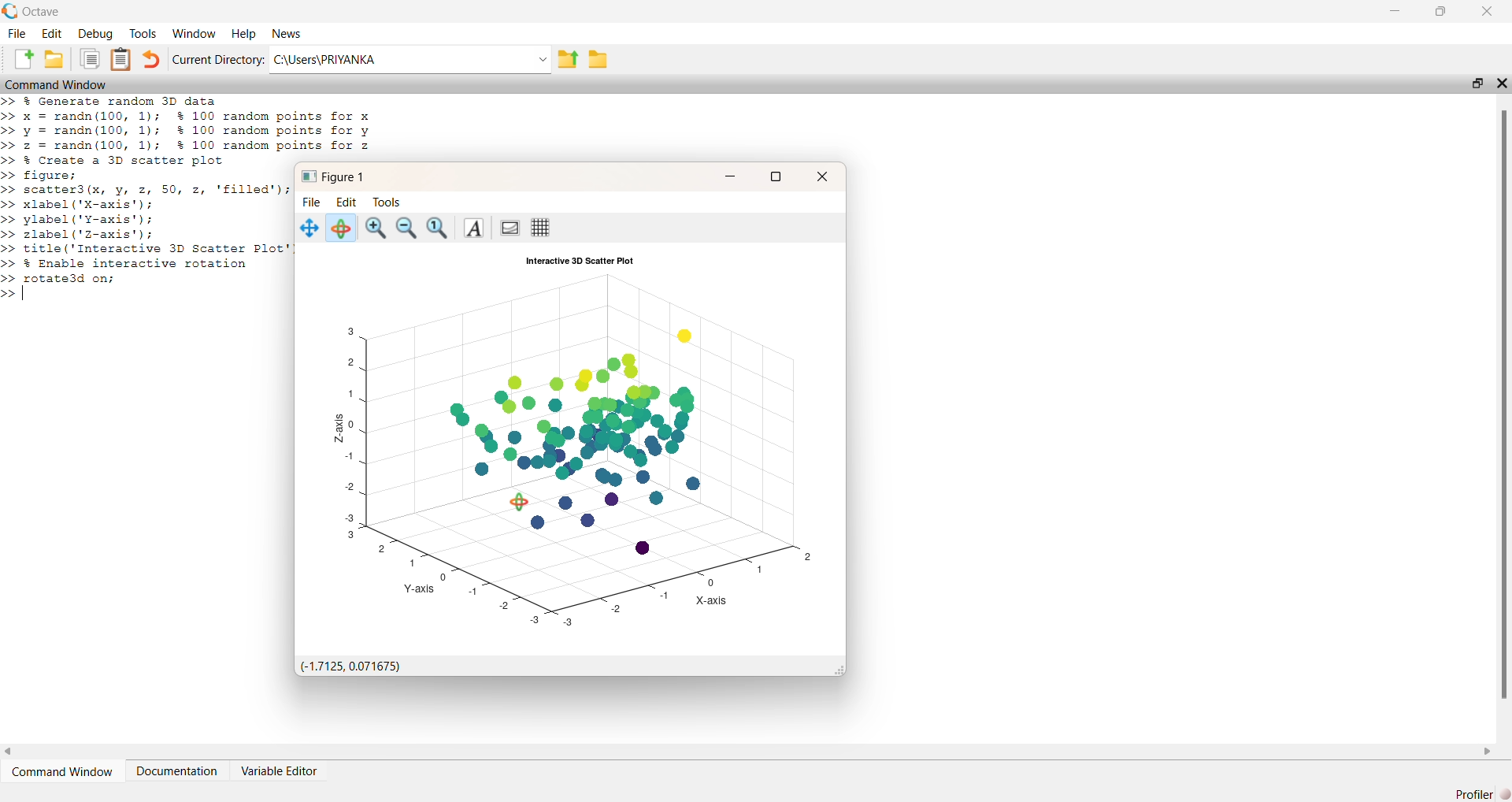  What do you see at coordinates (151, 59) in the screenshot?
I see `undo` at bounding box center [151, 59].